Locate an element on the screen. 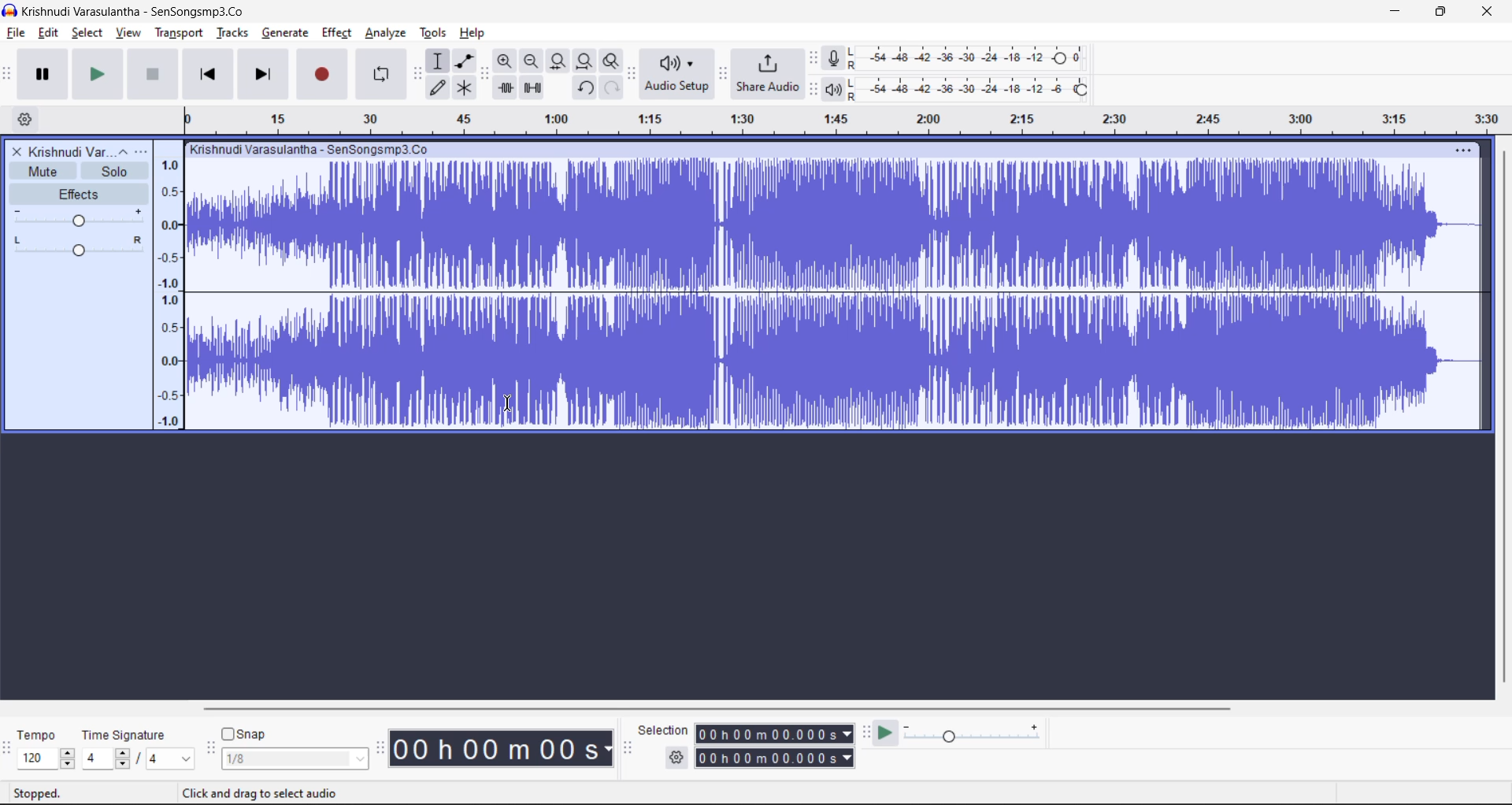 This screenshot has height=805, width=1512. timeline options is located at coordinates (27, 121).